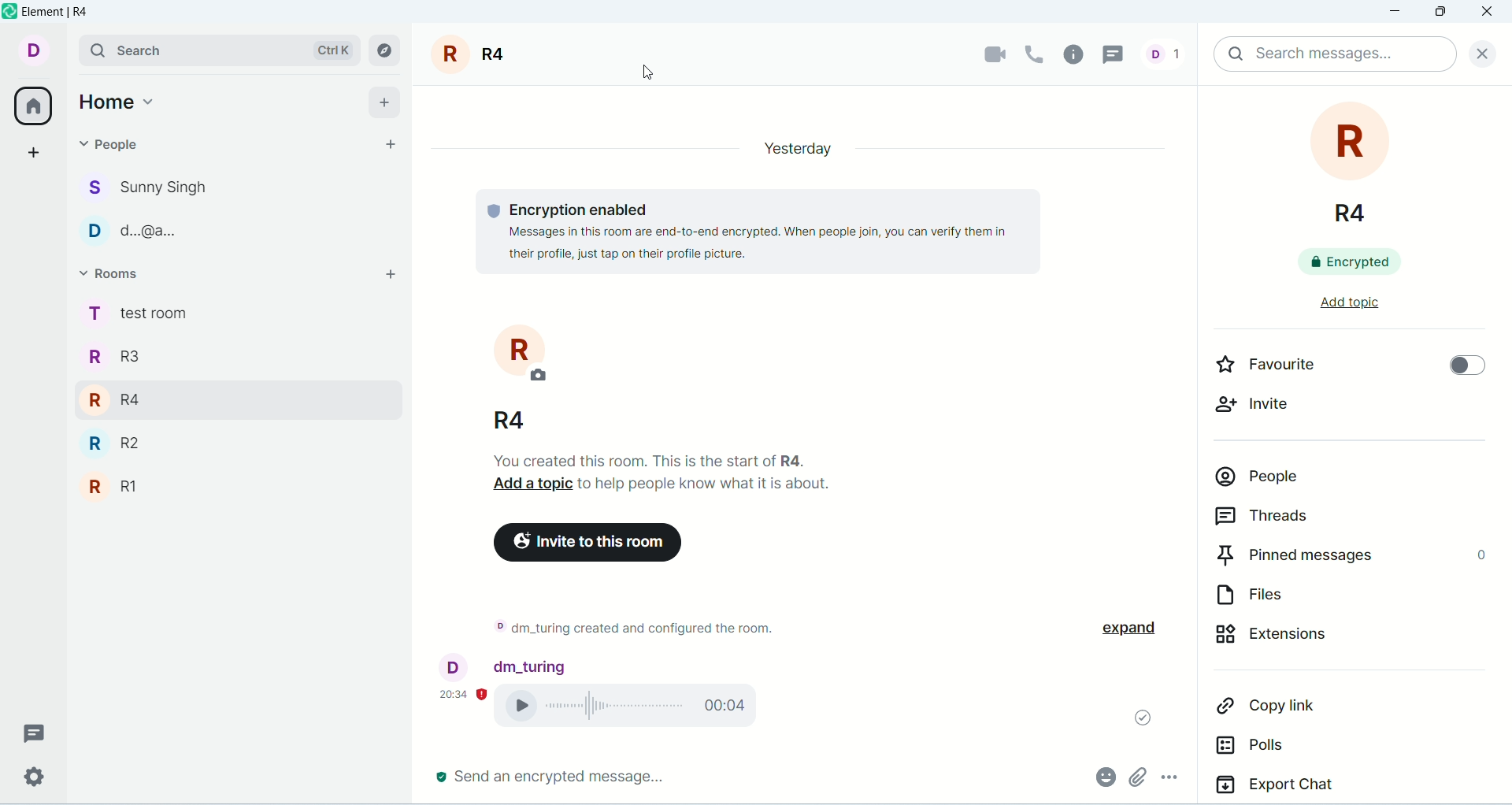  What do you see at coordinates (655, 72) in the screenshot?
I see `cursor` at bounding box center [655, 72].